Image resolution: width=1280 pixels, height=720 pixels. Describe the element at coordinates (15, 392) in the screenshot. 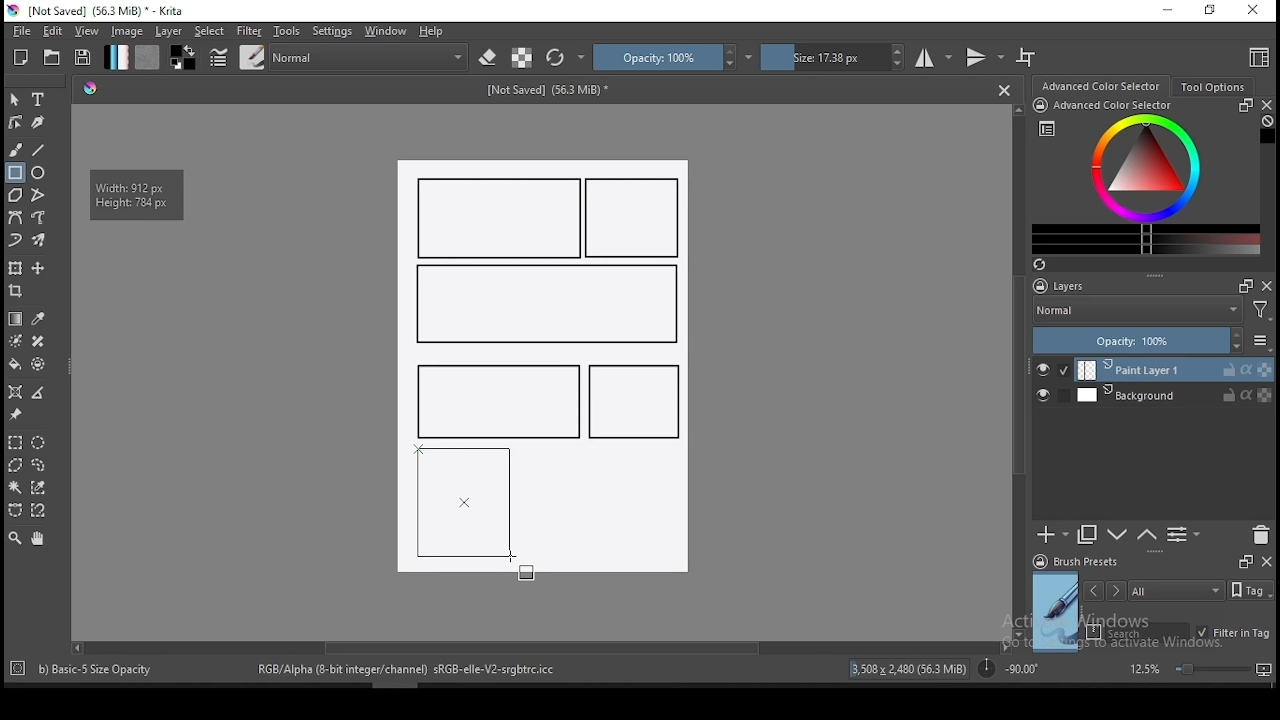

I see `assistant tool` at that location.